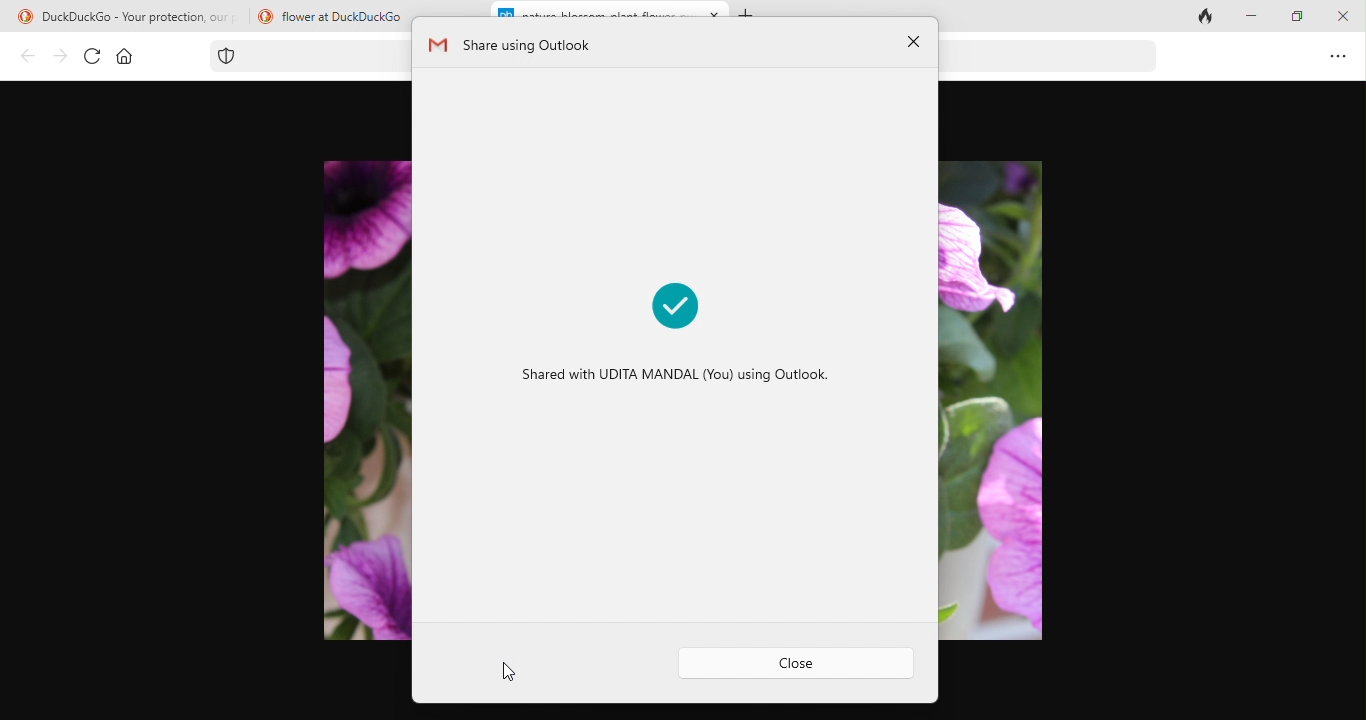 This screenshot has width=1366, height=720. Describe the element at coordinates (1338, 15) in the screenshot. I see `close` at that location.